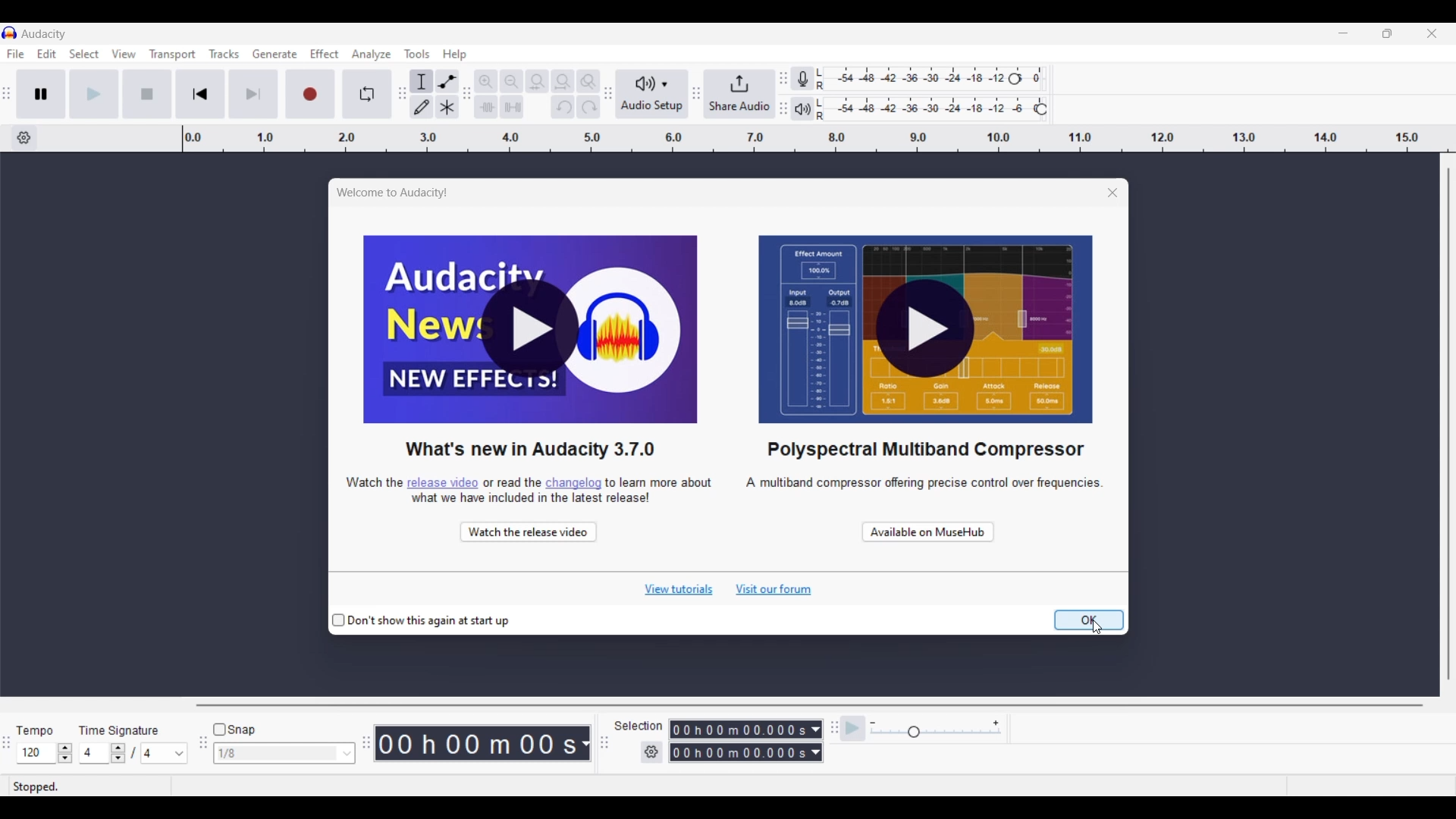 The width and height of the screenshot is (1456, 819). Describe the element at coordinates (936, 733) in the screenshot. I see `Slider to change playback speed` at that location.